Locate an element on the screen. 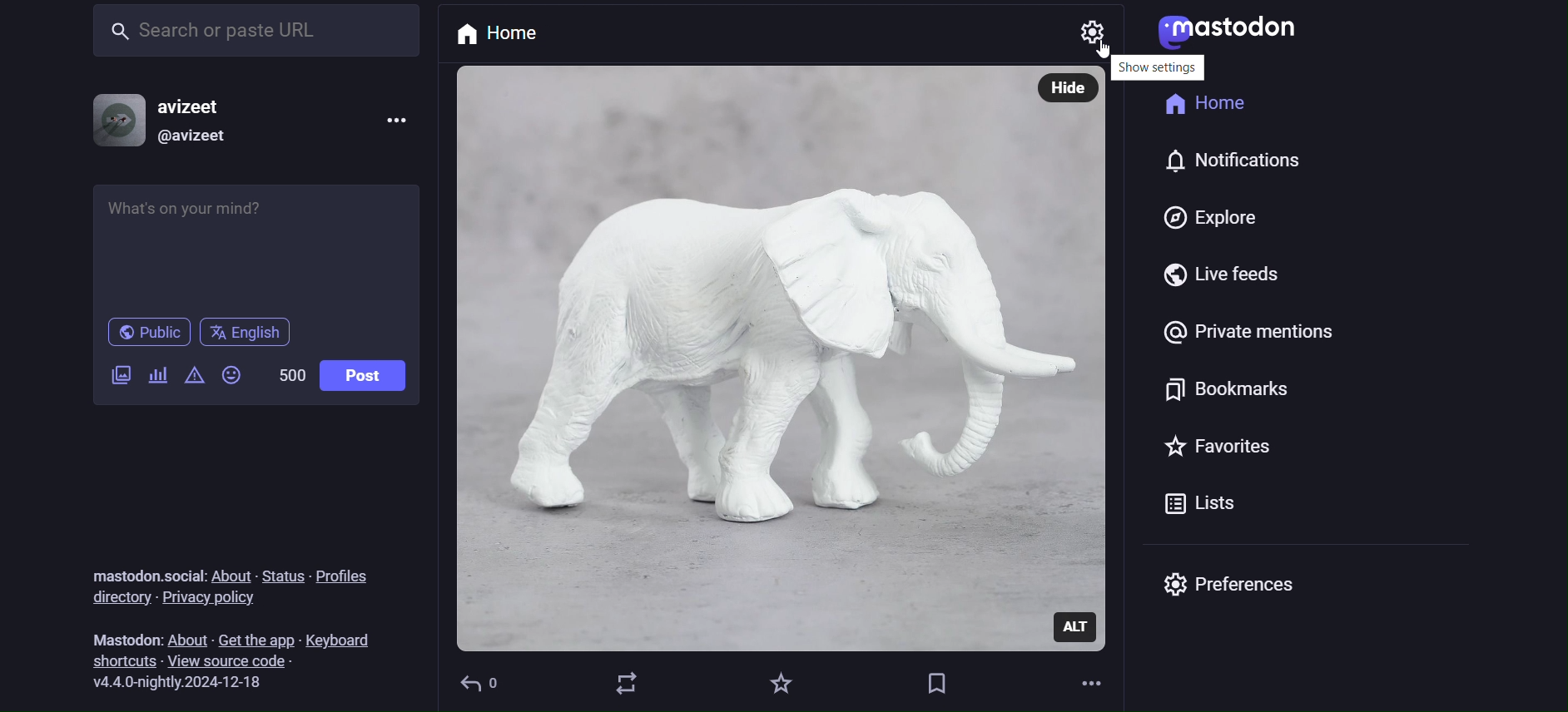 This screenshot has height=712, width=1568. shortcuts is located at coordinates (116, 660).